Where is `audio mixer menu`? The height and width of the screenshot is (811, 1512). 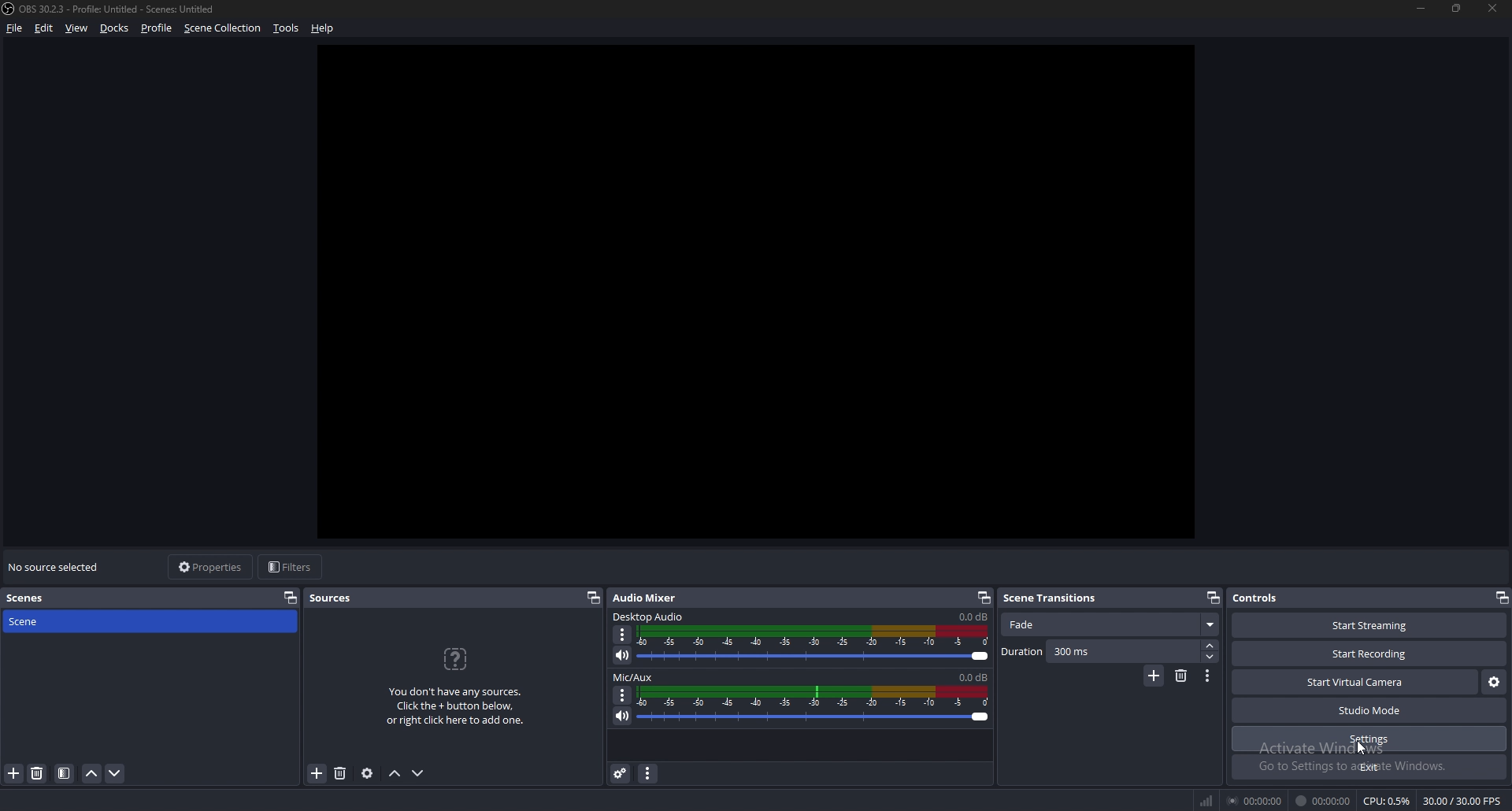 audio mixer menu is located at coordinates (648, 774).